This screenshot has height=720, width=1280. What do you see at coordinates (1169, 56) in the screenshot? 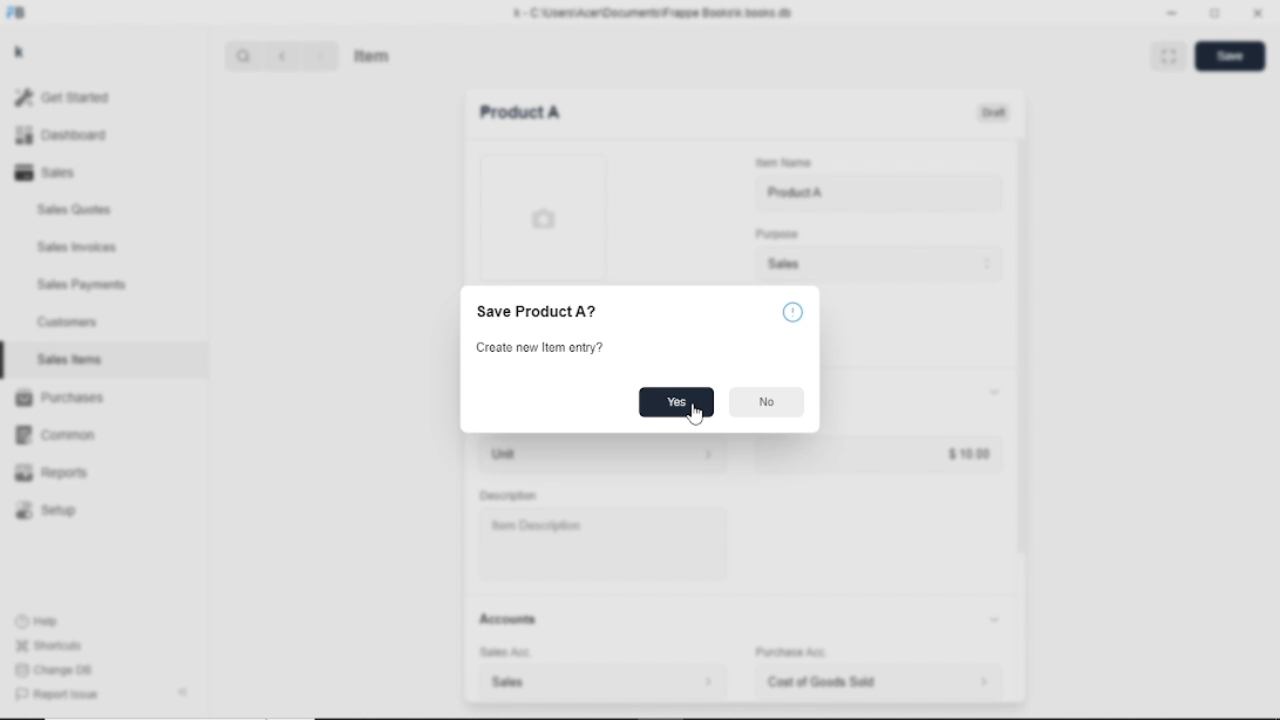
I see `Toggle between form and full width` at bounding box center [1169, 56].